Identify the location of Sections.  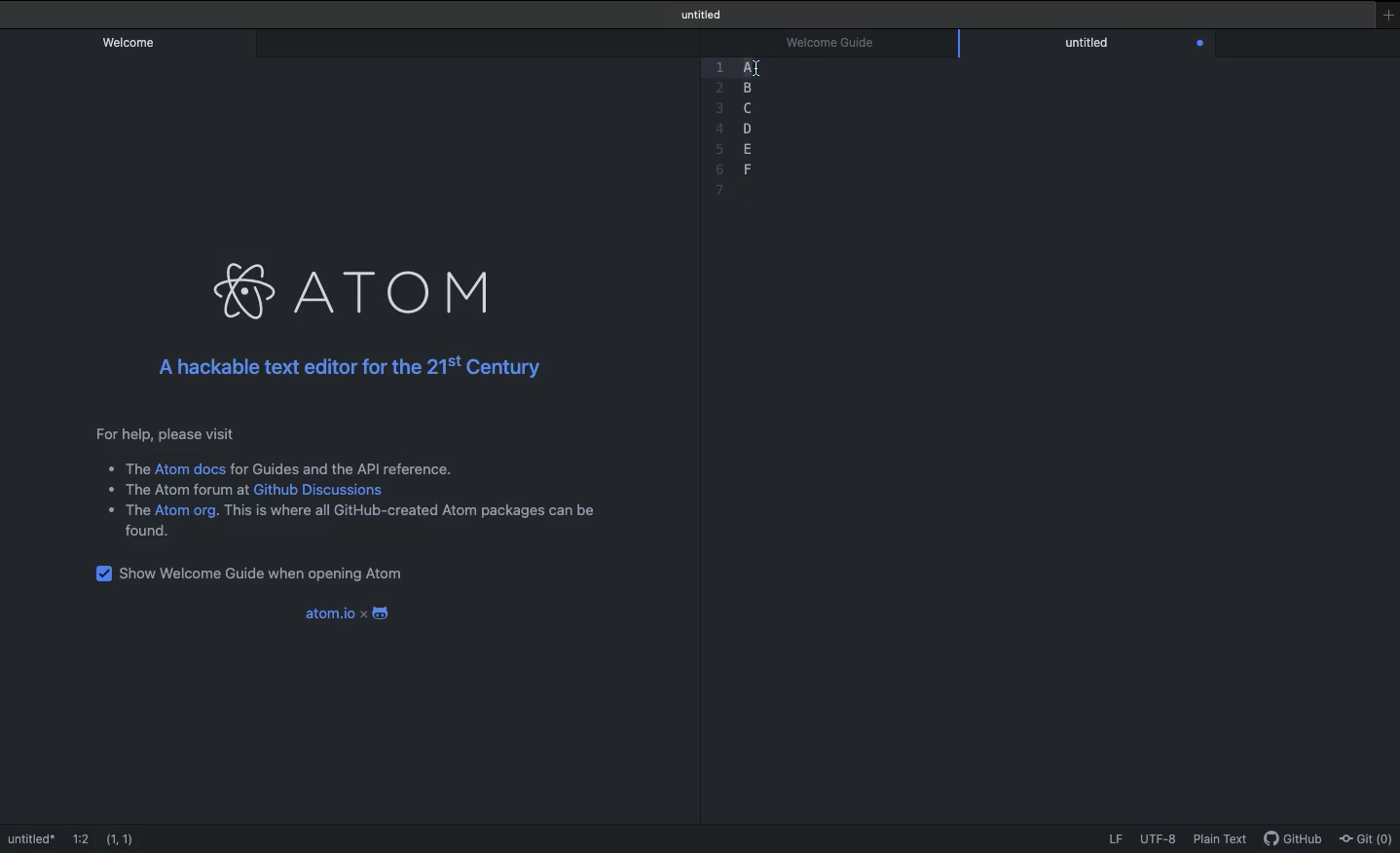
(751, 68).